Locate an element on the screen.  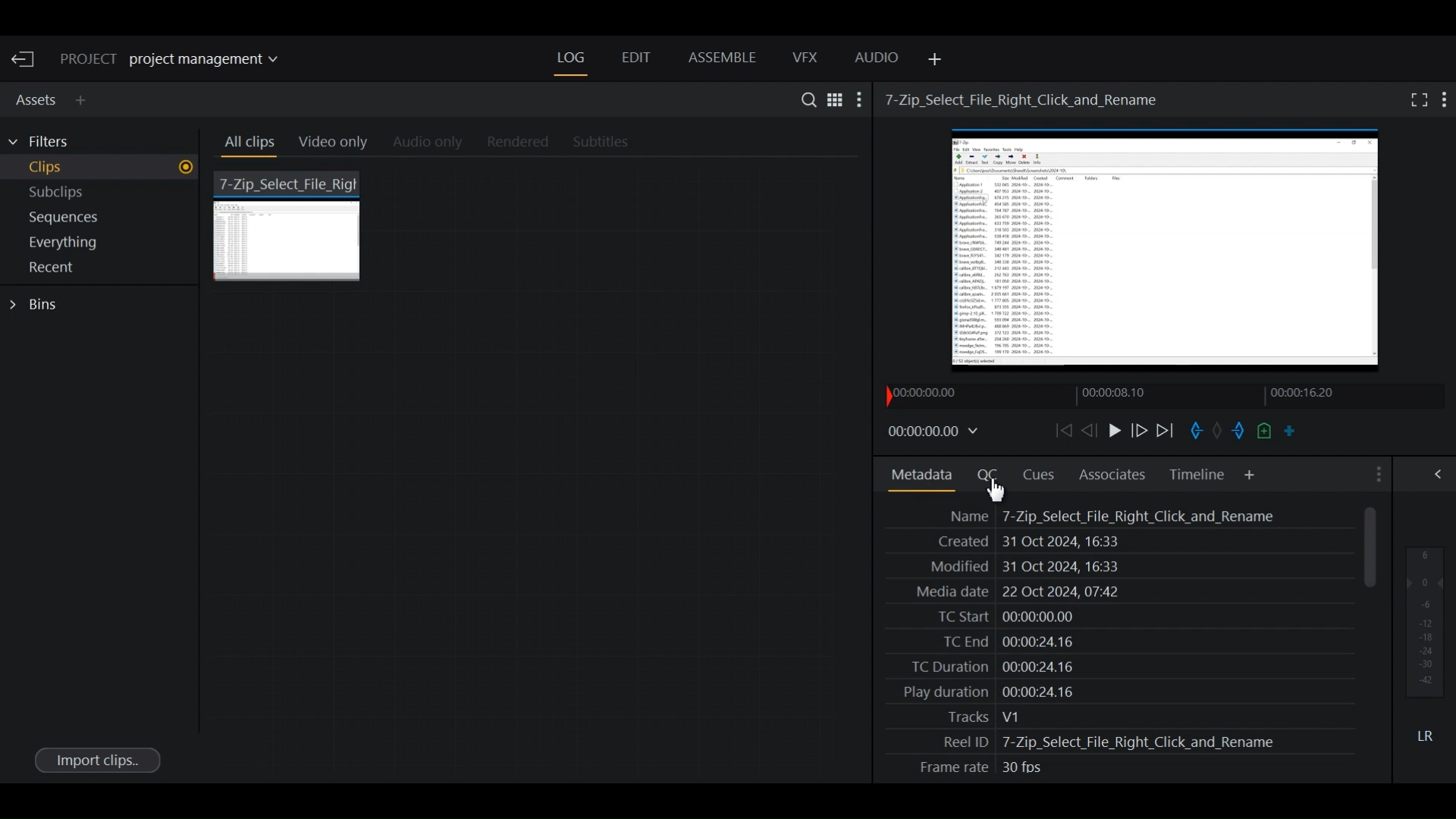
Add Panel is located at coordinates (1250, 475).